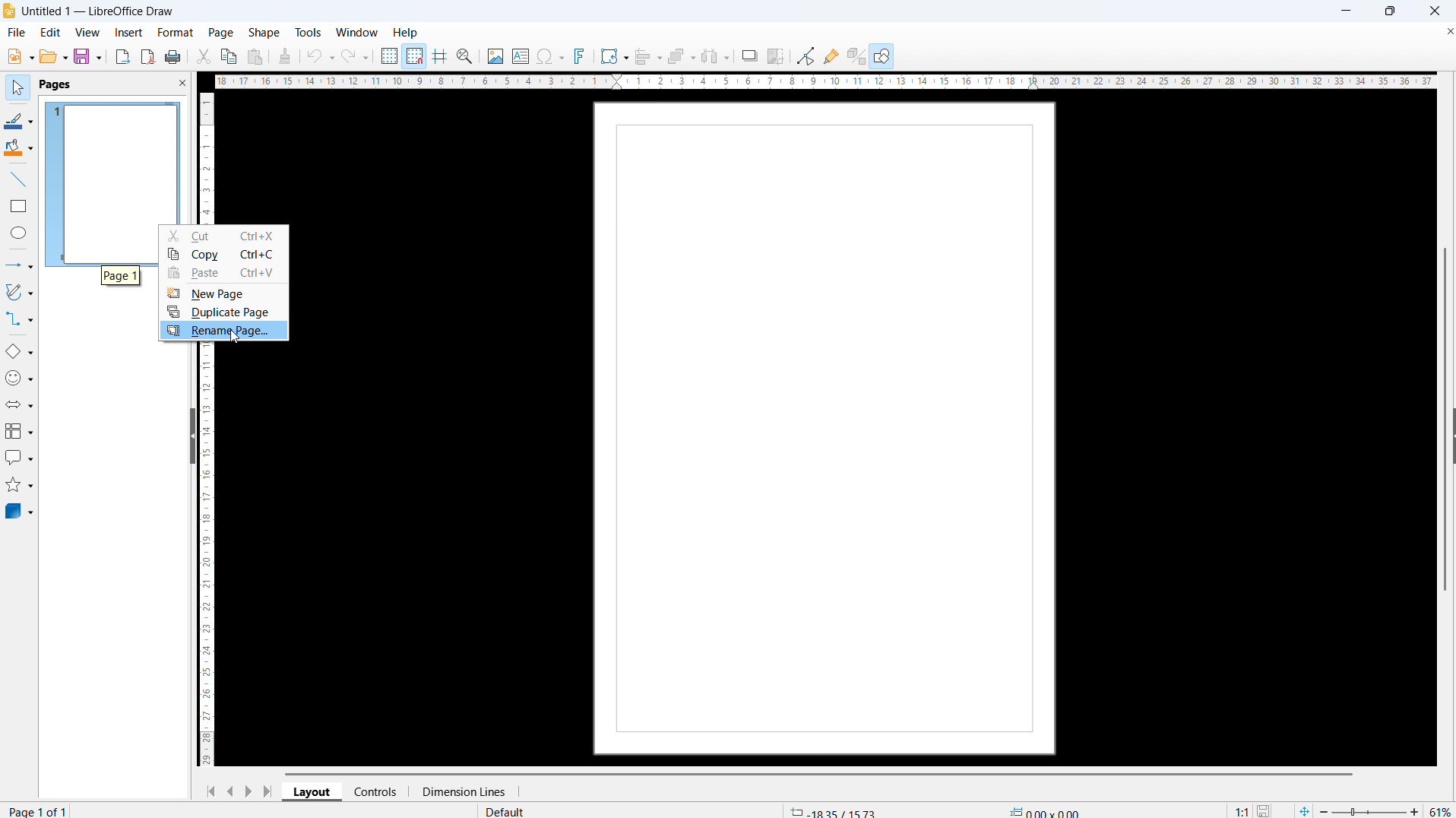  I want to click on shadow, so click(749, 55).